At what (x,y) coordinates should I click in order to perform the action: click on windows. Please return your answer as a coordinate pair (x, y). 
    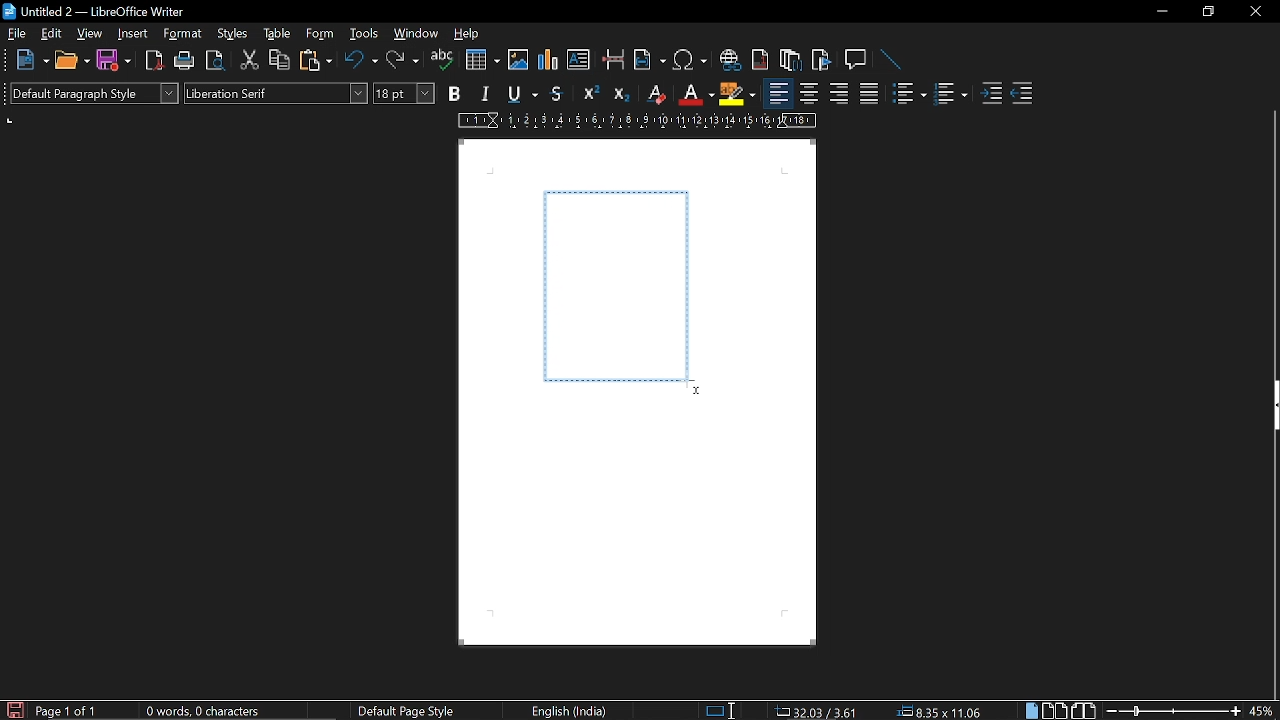
    Looking at the image, I should click on (416, 35).